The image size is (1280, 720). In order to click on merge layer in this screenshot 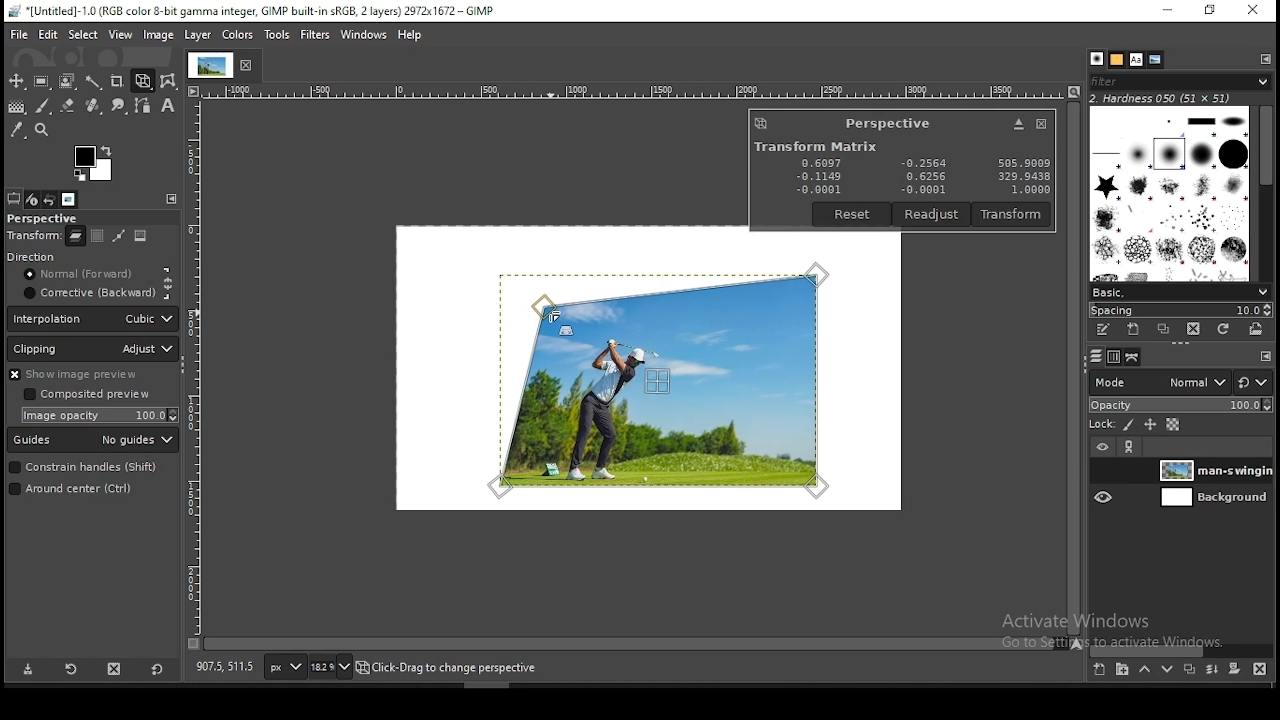, I will do `click(1212, 667)`.